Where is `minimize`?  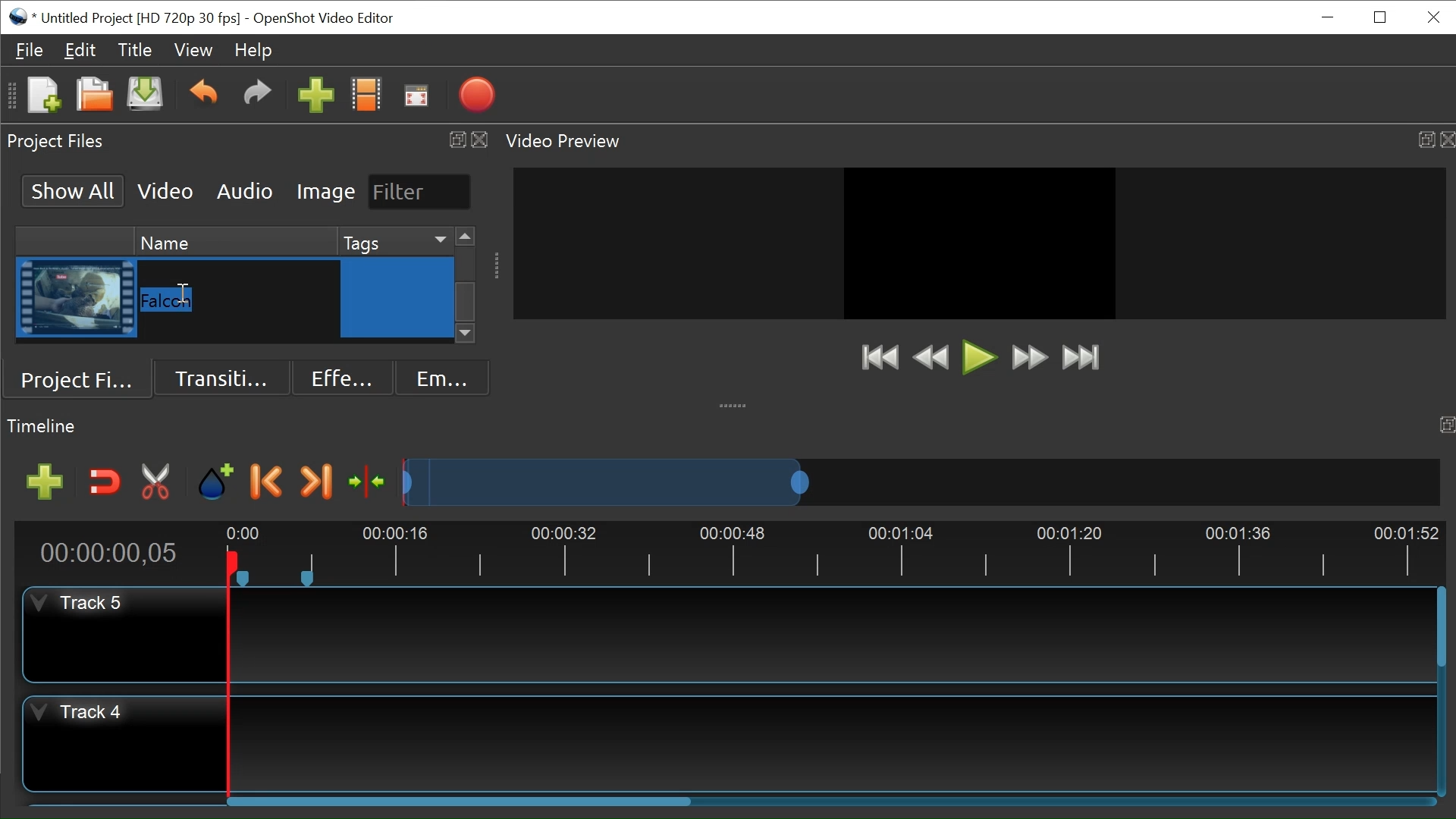
minimize is located at coordinates (1329, 17).